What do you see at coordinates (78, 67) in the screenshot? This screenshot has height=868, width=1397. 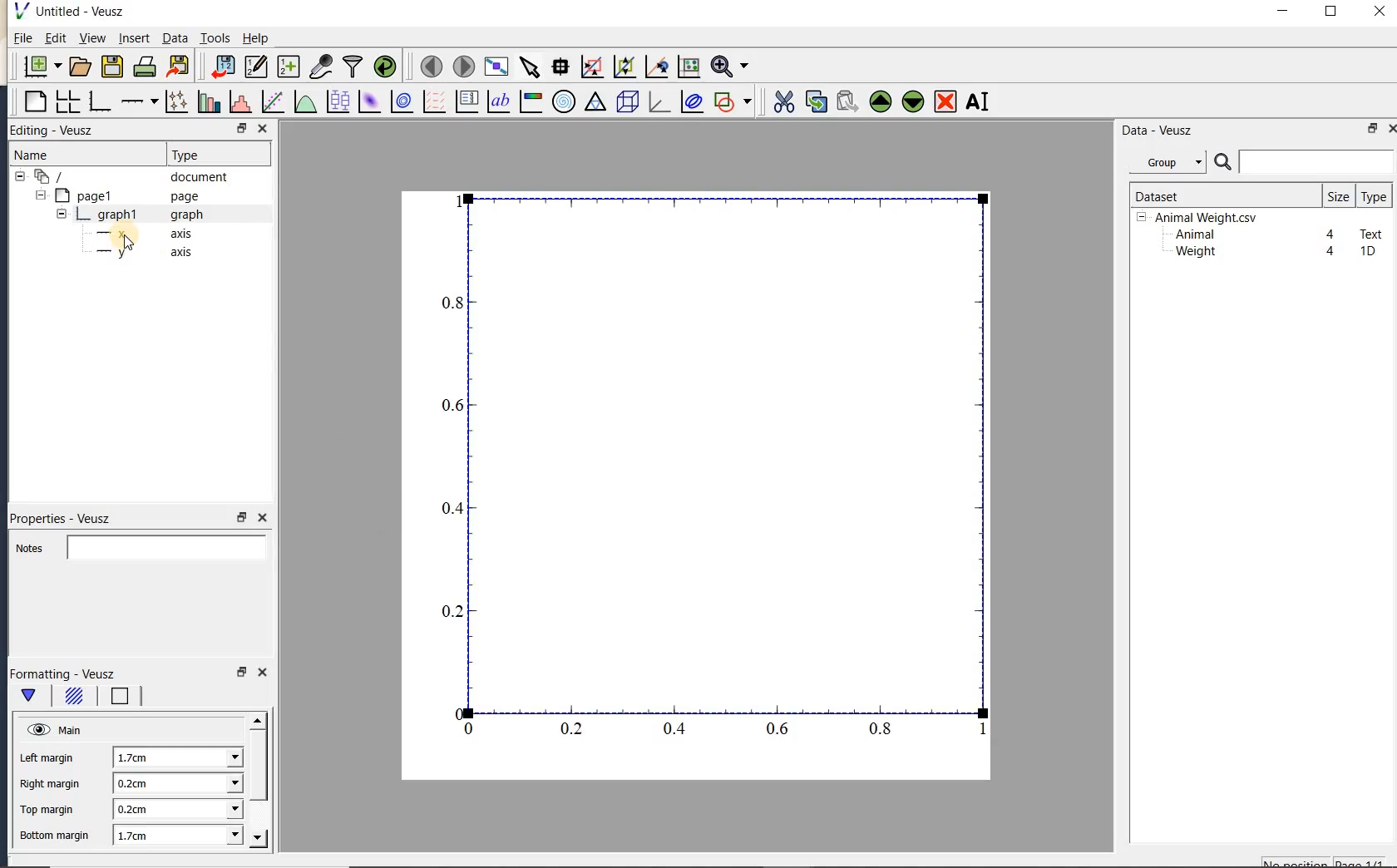 I see `open a document` at bounding box center [78, 67].